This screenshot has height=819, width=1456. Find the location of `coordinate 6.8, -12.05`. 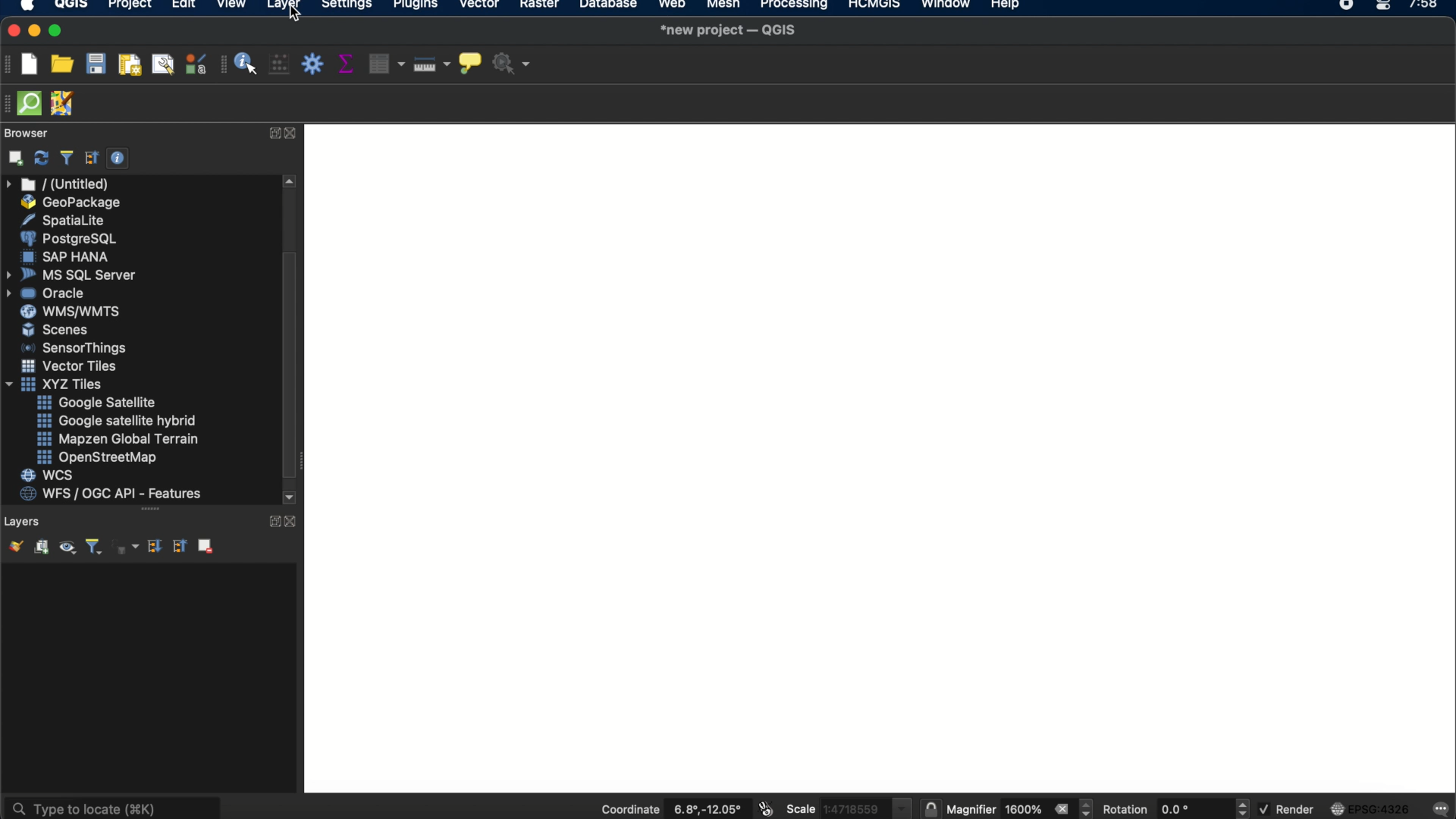

coordinate 6.8, -12.05 is located at coordinates (670, 808).